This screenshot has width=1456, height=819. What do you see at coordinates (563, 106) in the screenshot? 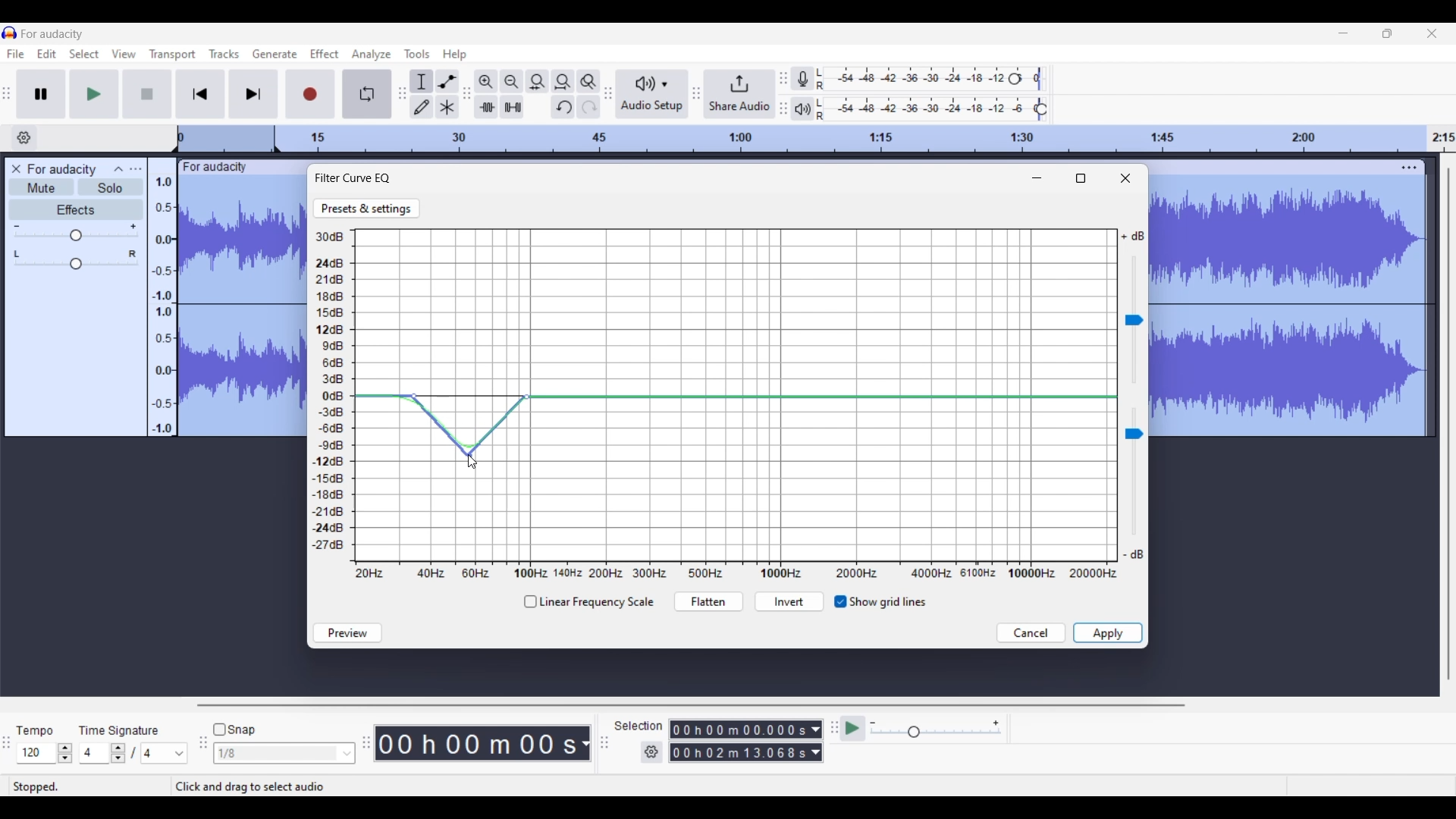
I see `Undo` at bounding box center [563, 106].